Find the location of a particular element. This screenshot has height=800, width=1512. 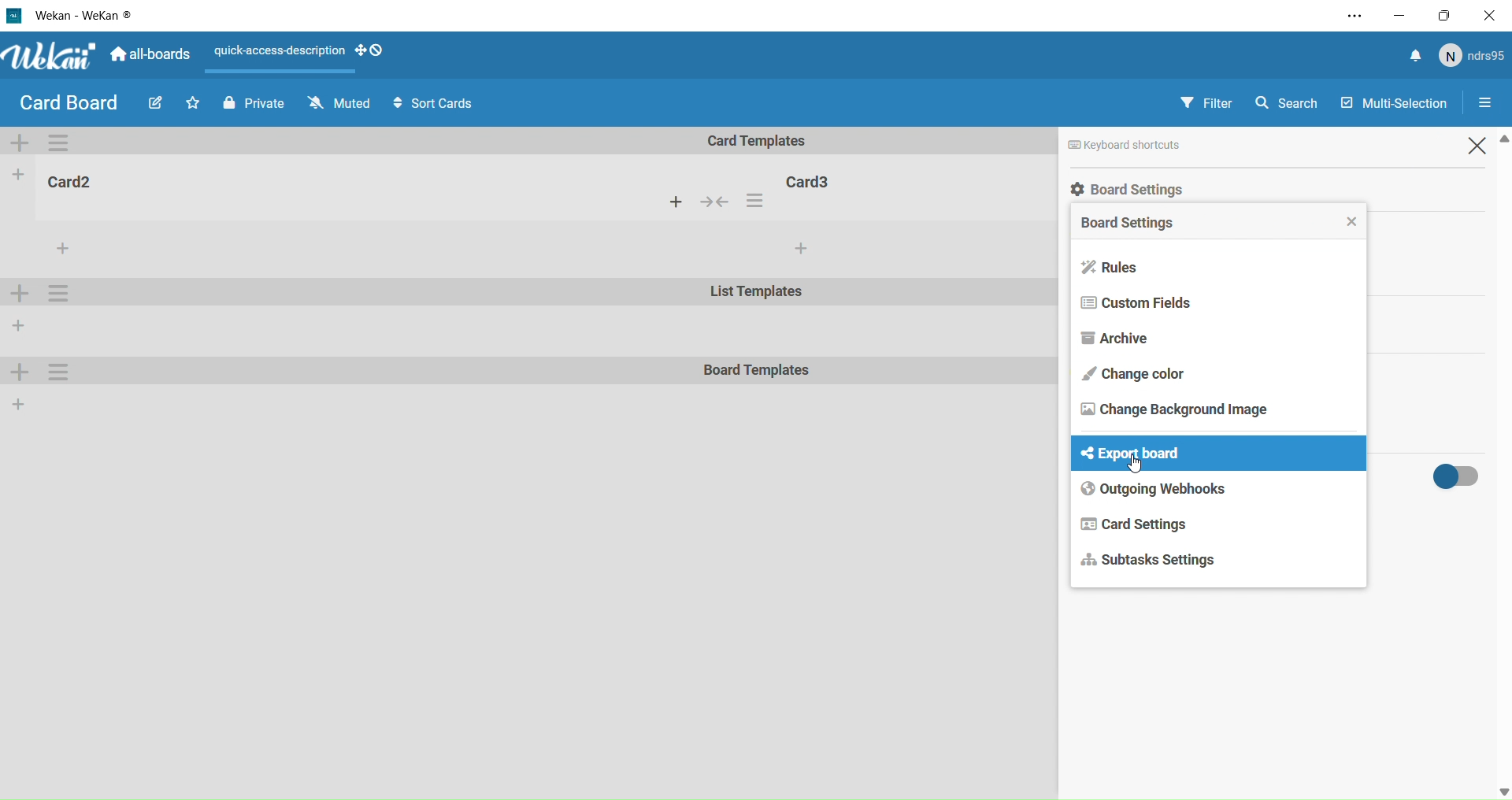

Multi Selection is located at coordinates (1392, 99).